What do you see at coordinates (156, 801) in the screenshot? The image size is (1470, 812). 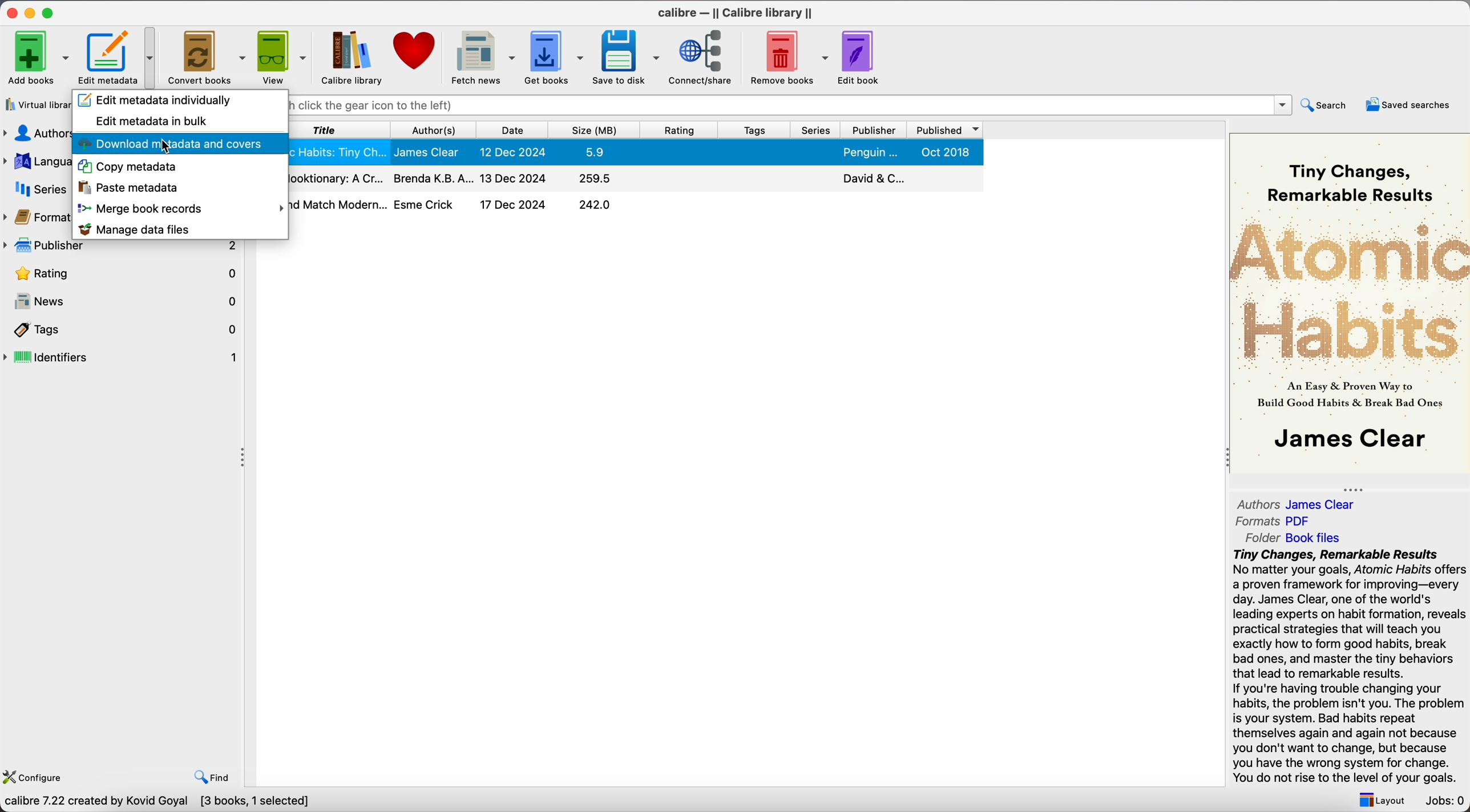 I see `calibre 7.22 created by Kovid Goyal [3 books, 1 selected]` at bounding box center [156, 801].